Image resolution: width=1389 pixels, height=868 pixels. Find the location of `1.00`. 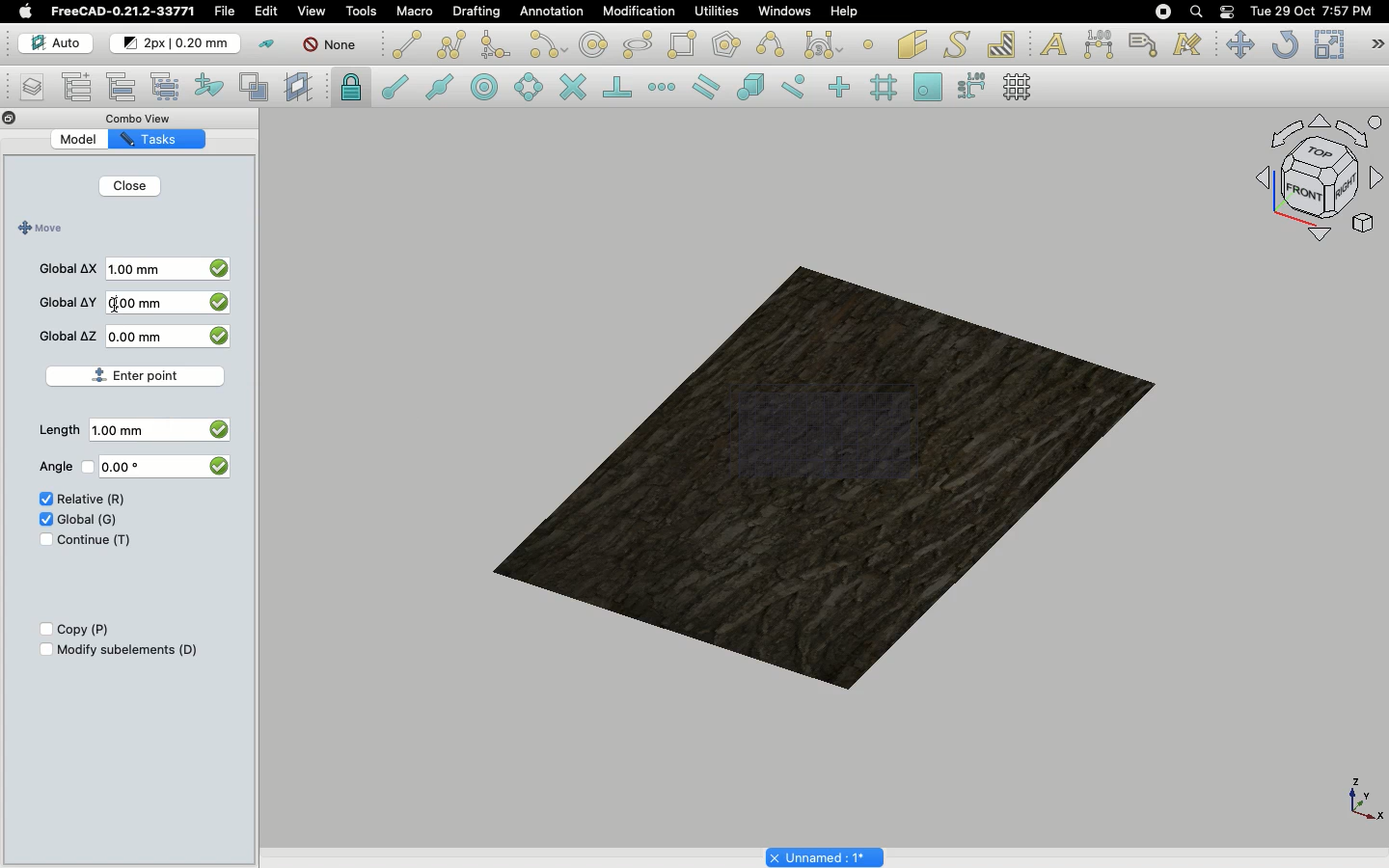

1.00 is located at coordinates (126, 430).